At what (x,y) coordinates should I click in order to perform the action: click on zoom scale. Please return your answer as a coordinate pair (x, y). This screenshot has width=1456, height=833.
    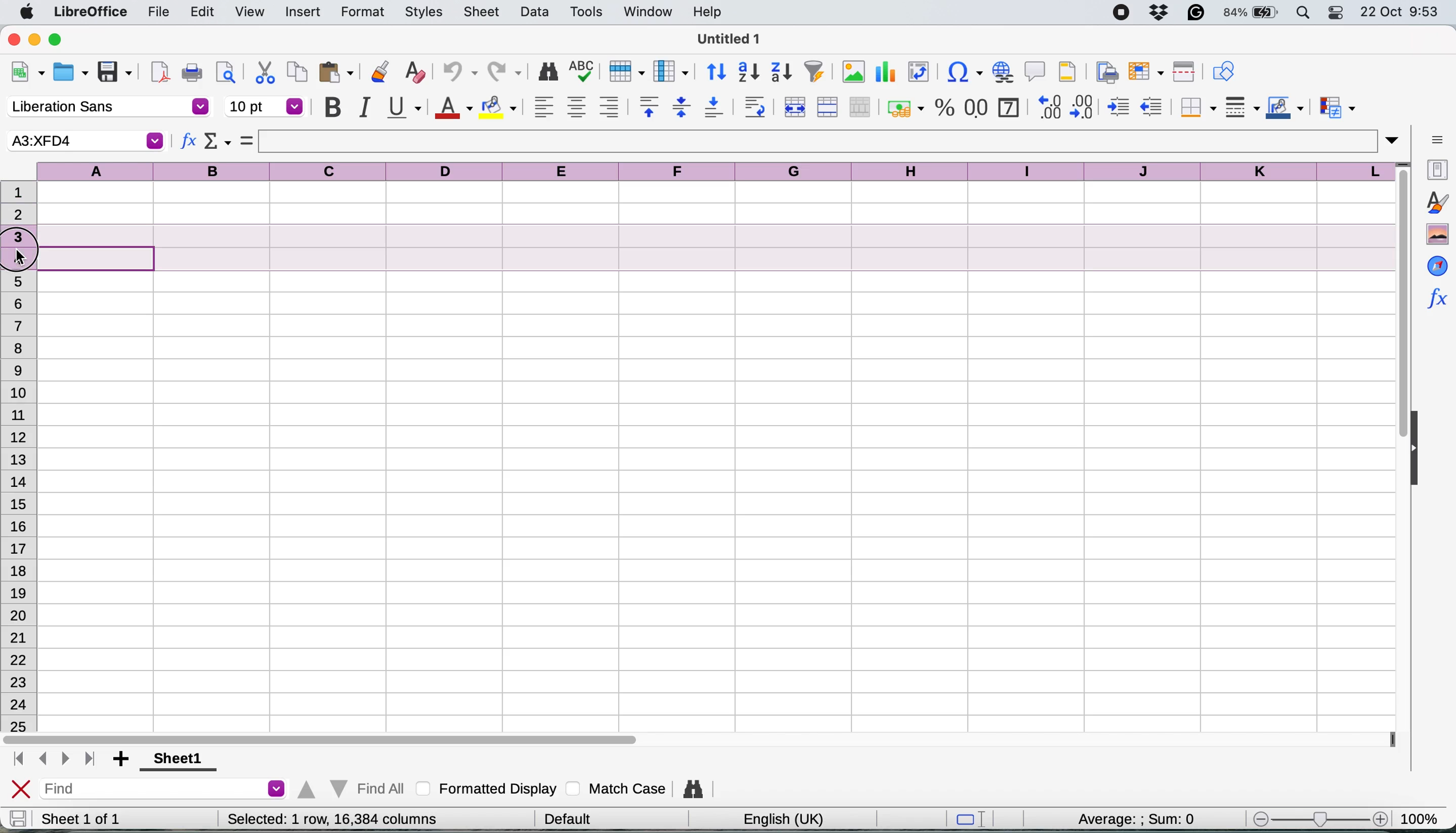
    Looking at the image, I should click on (1319, 821).